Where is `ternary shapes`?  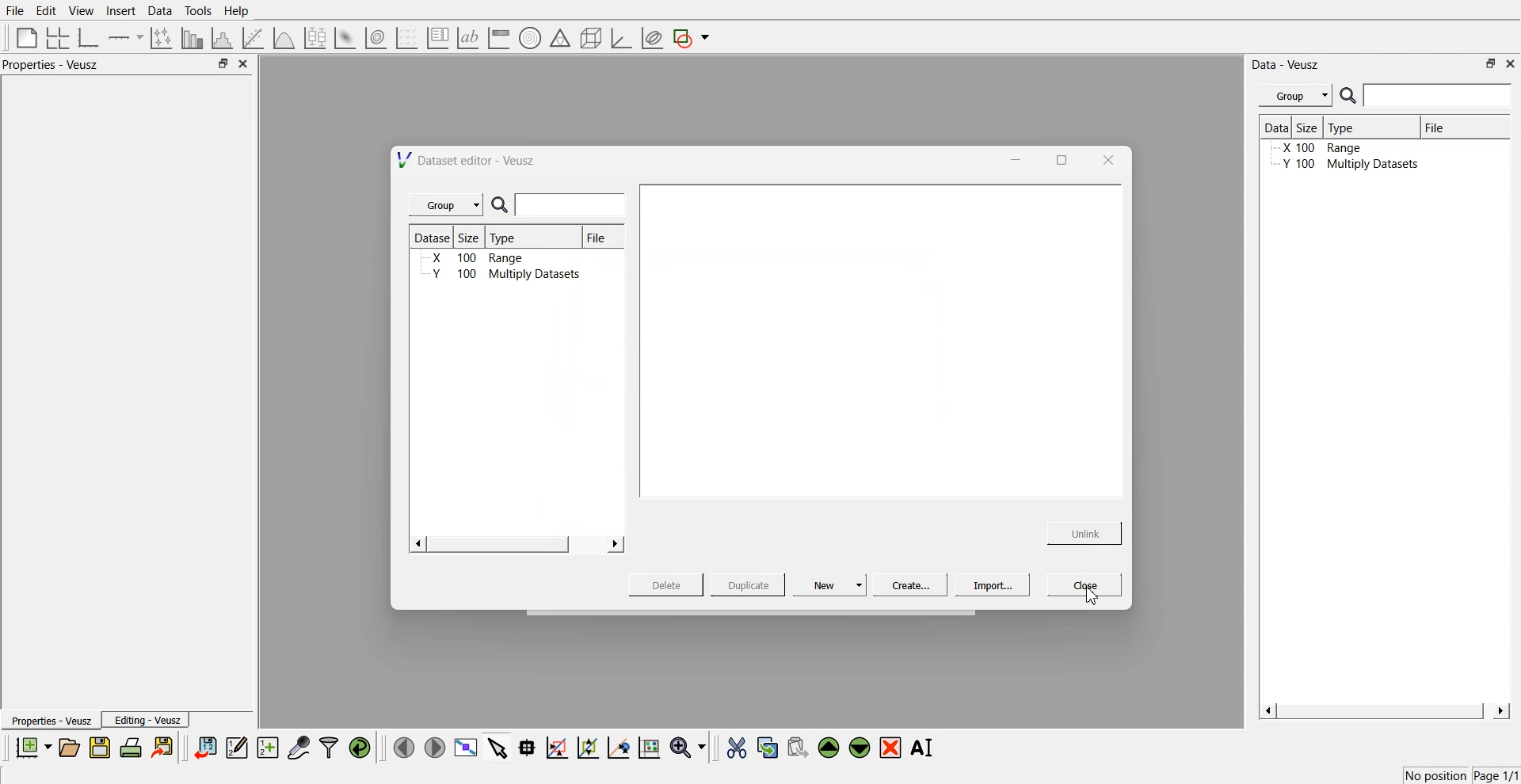
ternary shapes is located at coordinates (558, 40).